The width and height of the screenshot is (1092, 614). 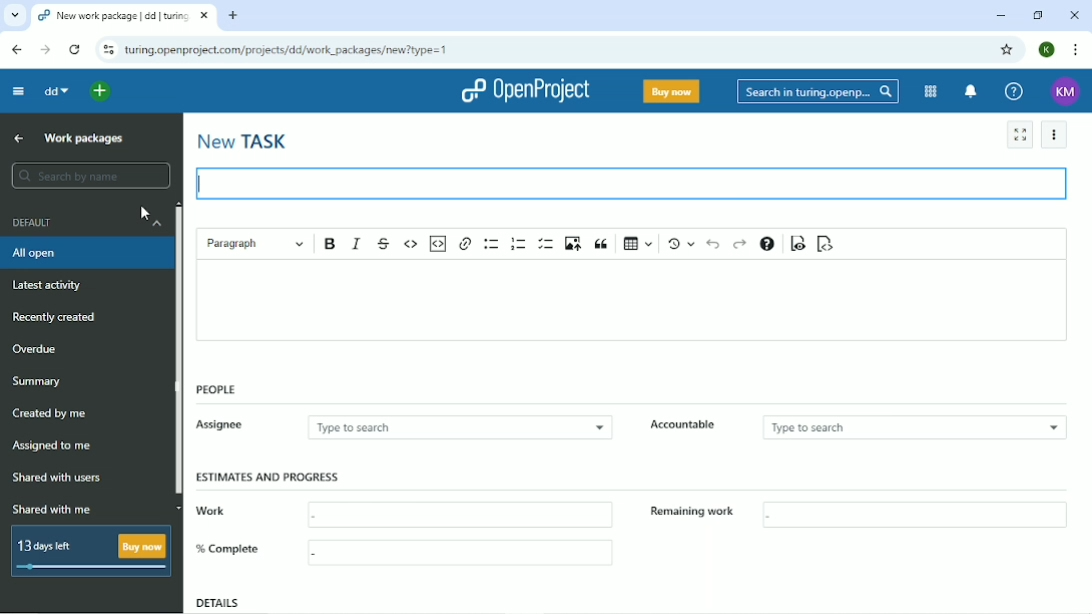 I want to click on Details, so click(x=218, y=603).